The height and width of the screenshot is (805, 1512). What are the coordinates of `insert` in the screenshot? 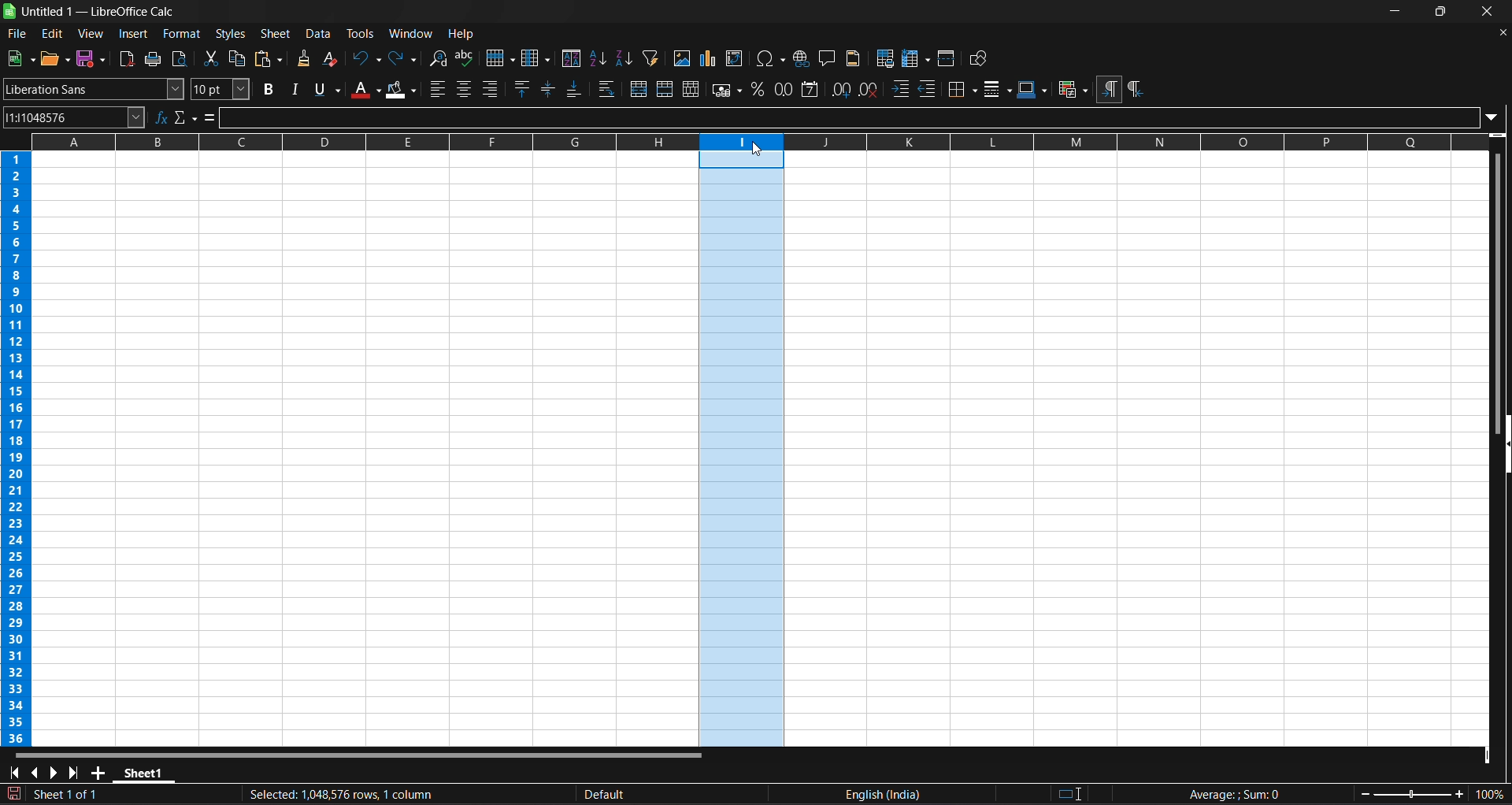 It's located at (134, 34).